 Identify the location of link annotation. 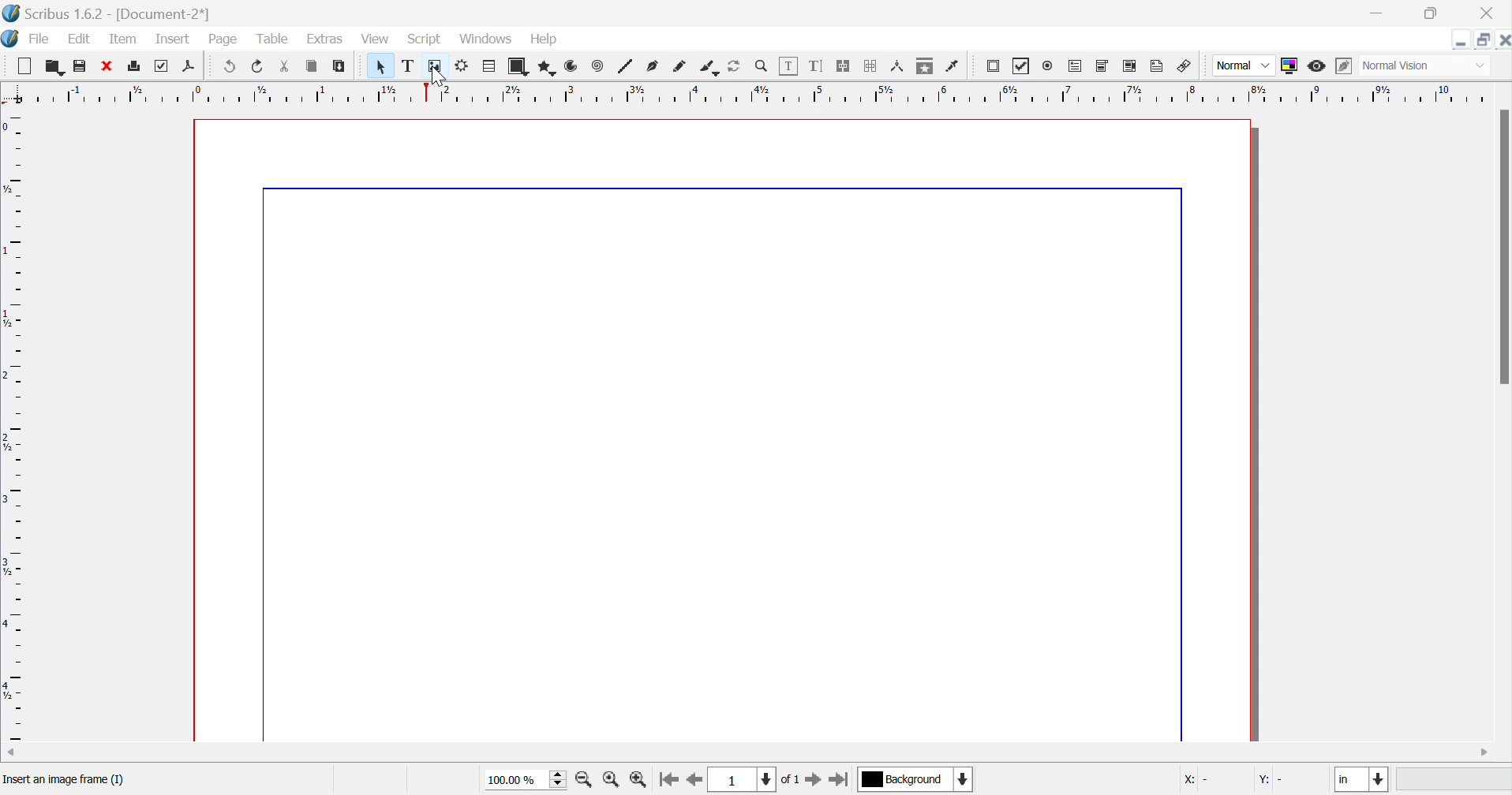
(1185, 64).